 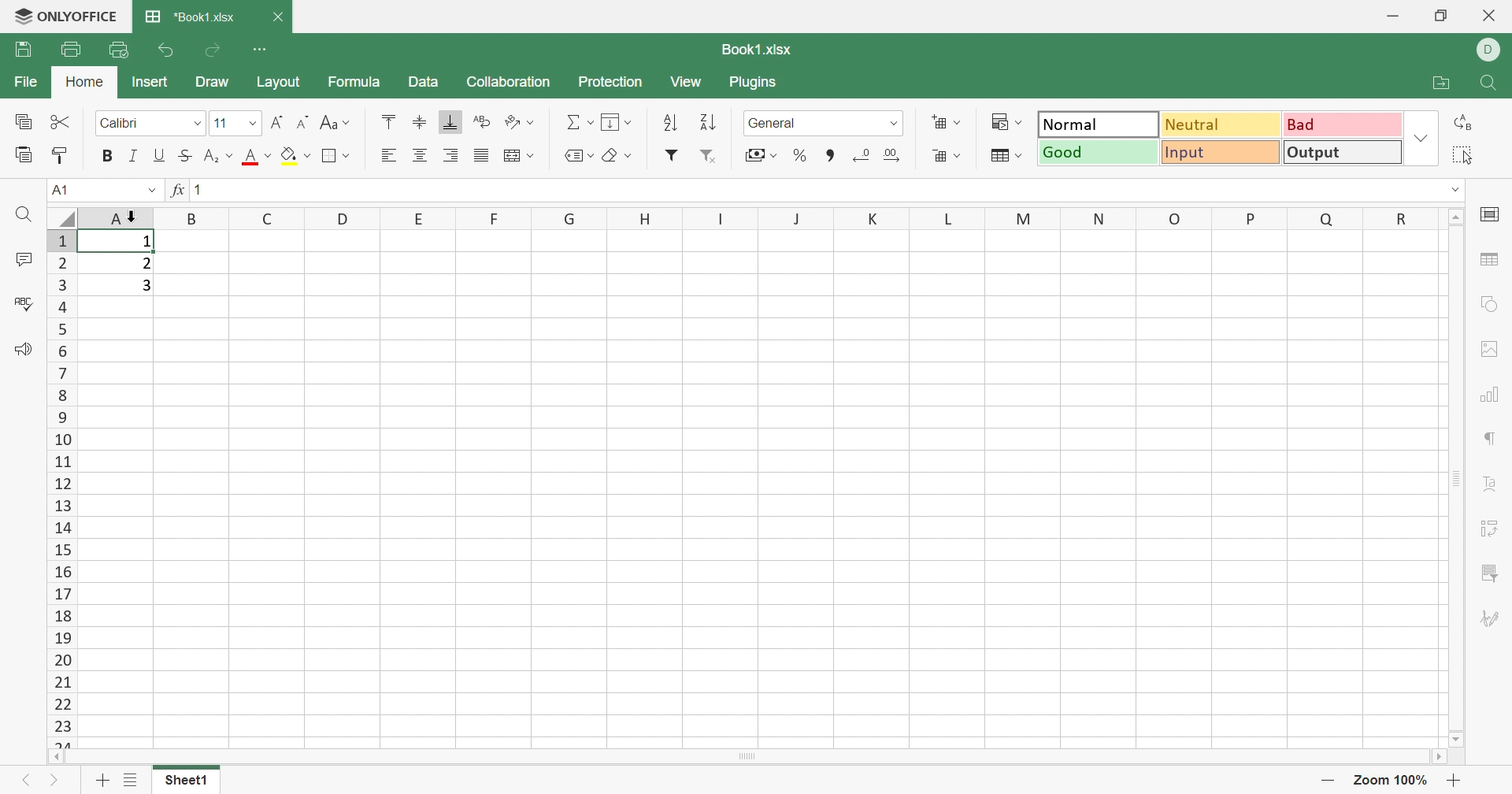 I want to click on Paste, so click(x=24, y=154).